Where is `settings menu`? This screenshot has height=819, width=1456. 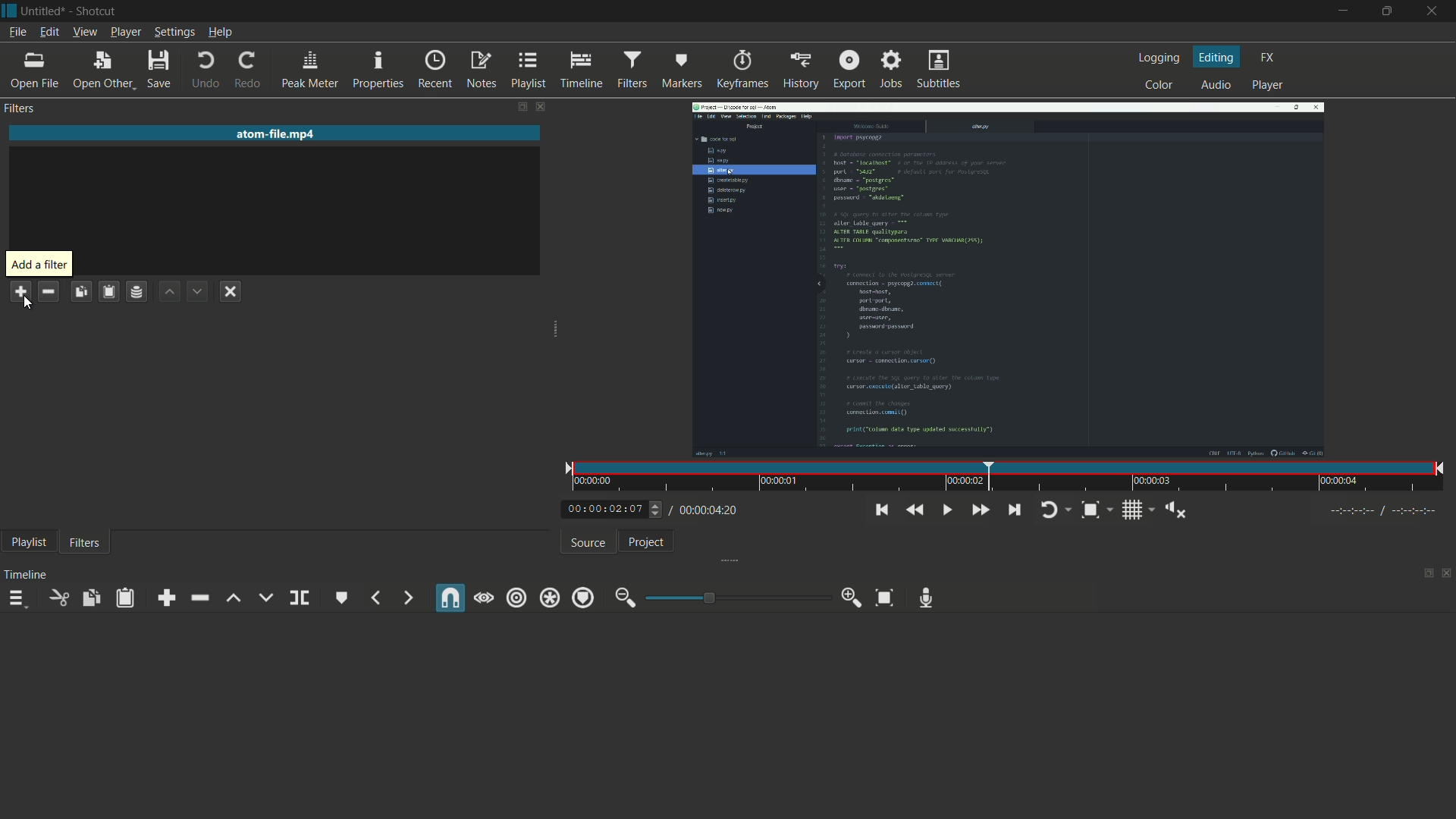
settings menu is located at coordinates (174, 32).